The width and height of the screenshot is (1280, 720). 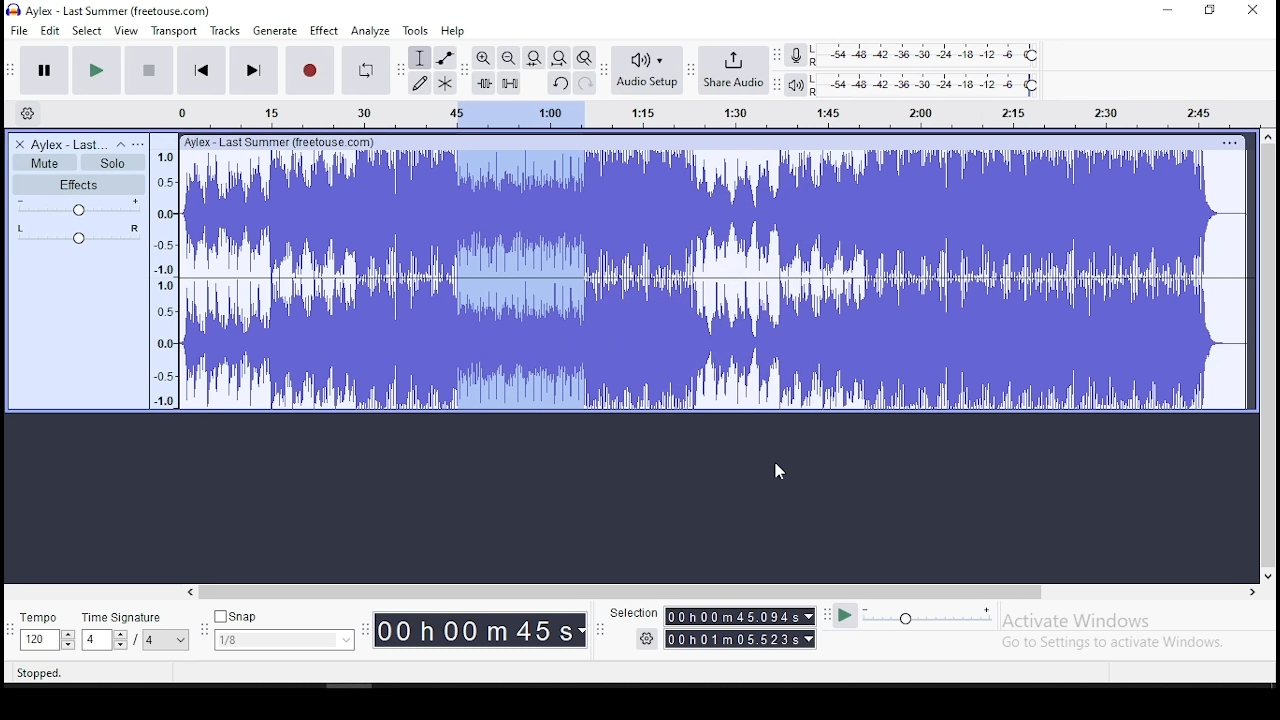 What do you see at coordinates (201, 71) in the screenshot?
I see `skip to start` at bounding box center [201, 71].